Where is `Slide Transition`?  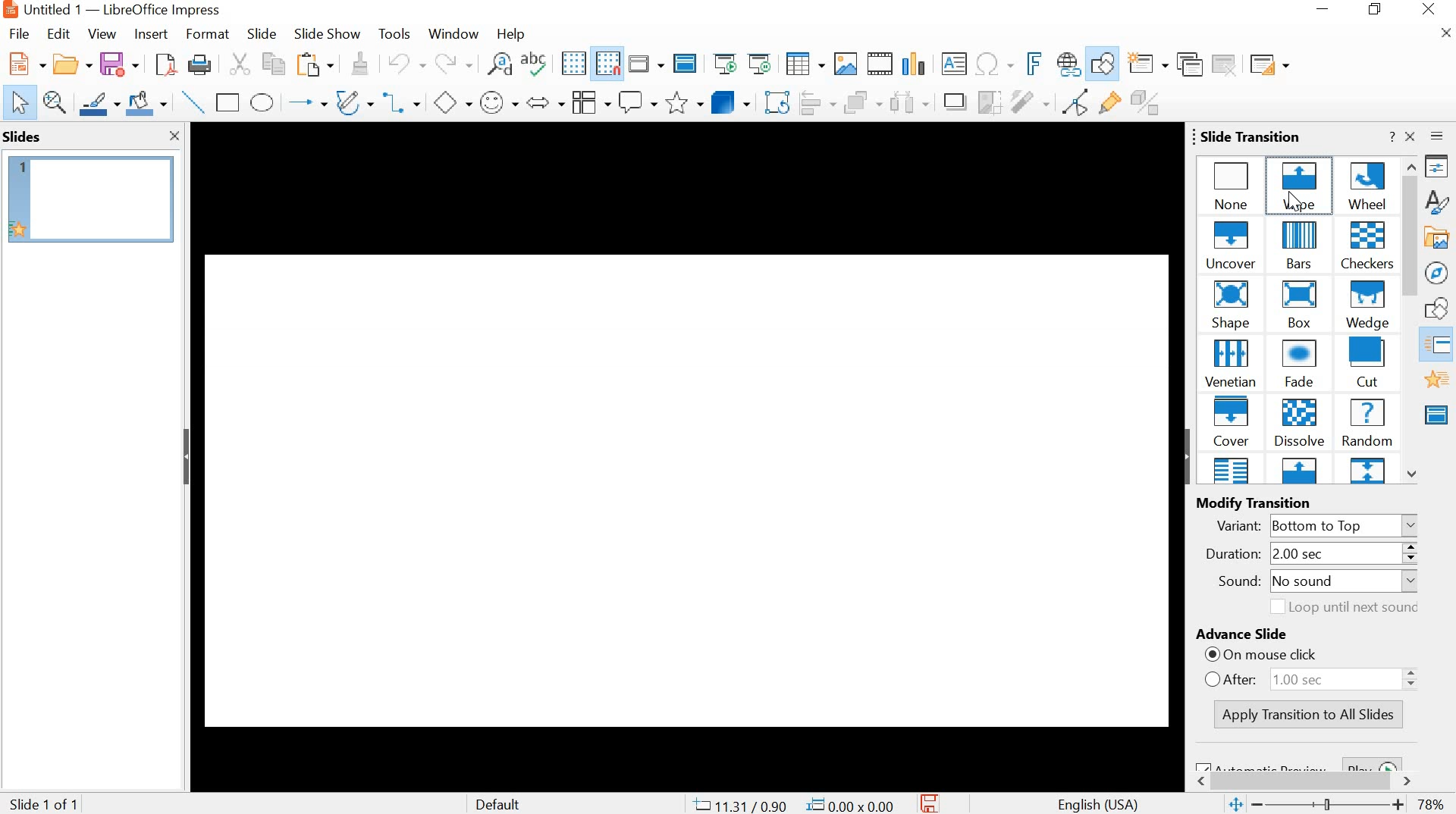 Slide Transition is located at coordinates (1442, 346).